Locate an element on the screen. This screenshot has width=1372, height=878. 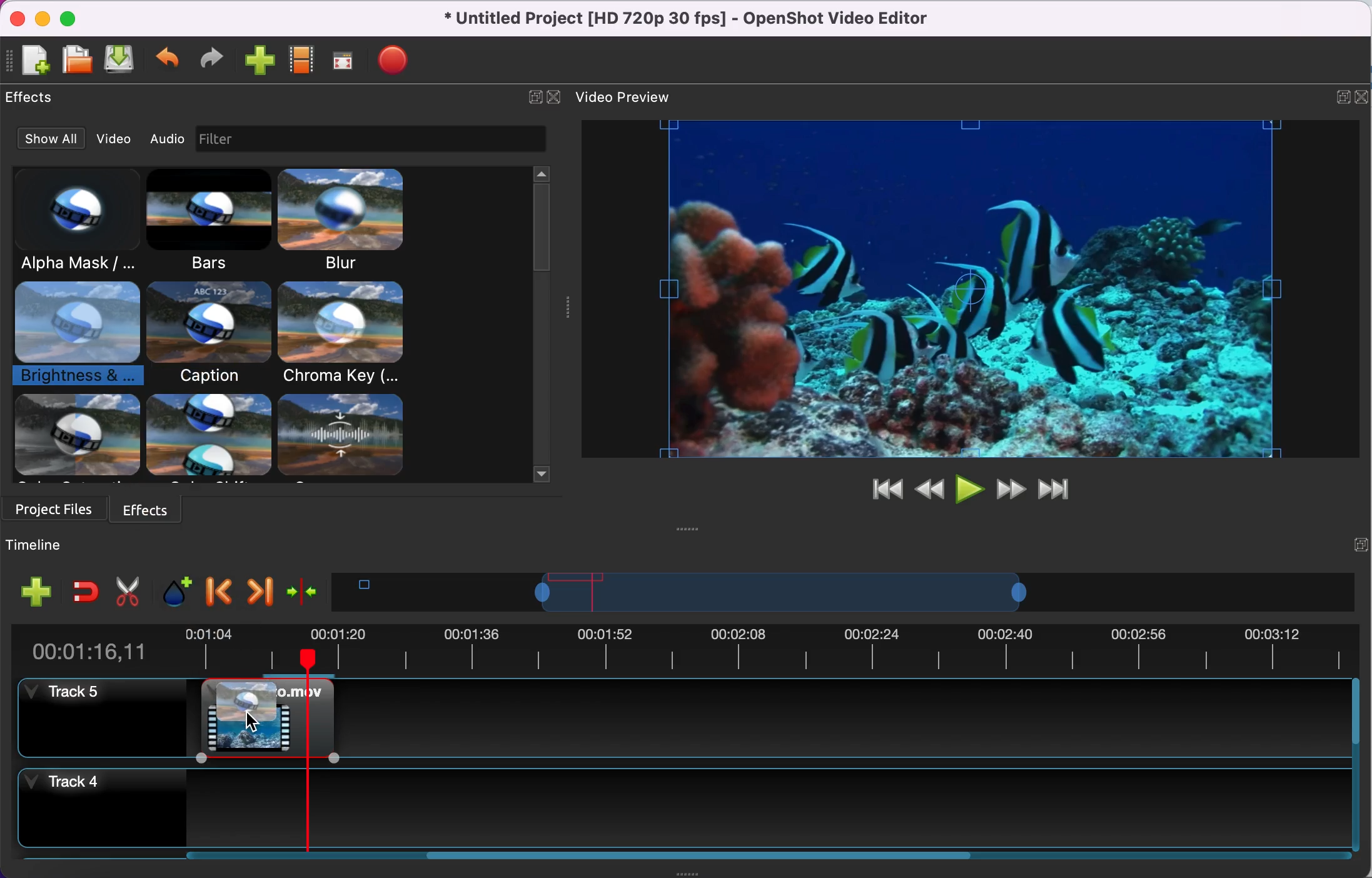
enable snapping is located at coordinates (85, 590).